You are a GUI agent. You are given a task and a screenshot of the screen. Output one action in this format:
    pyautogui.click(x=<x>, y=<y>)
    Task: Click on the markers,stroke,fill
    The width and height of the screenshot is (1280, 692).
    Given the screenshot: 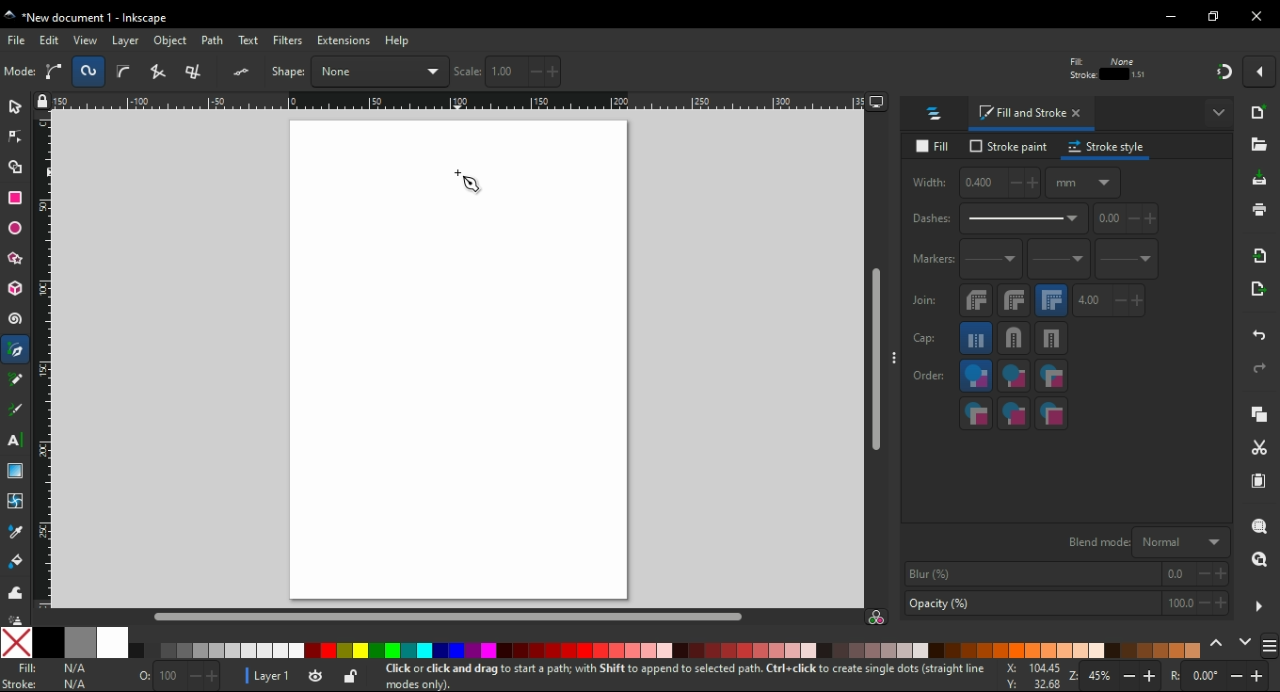 What is the action you would take?
    pyautogui.click(x=1052, y=414)
    